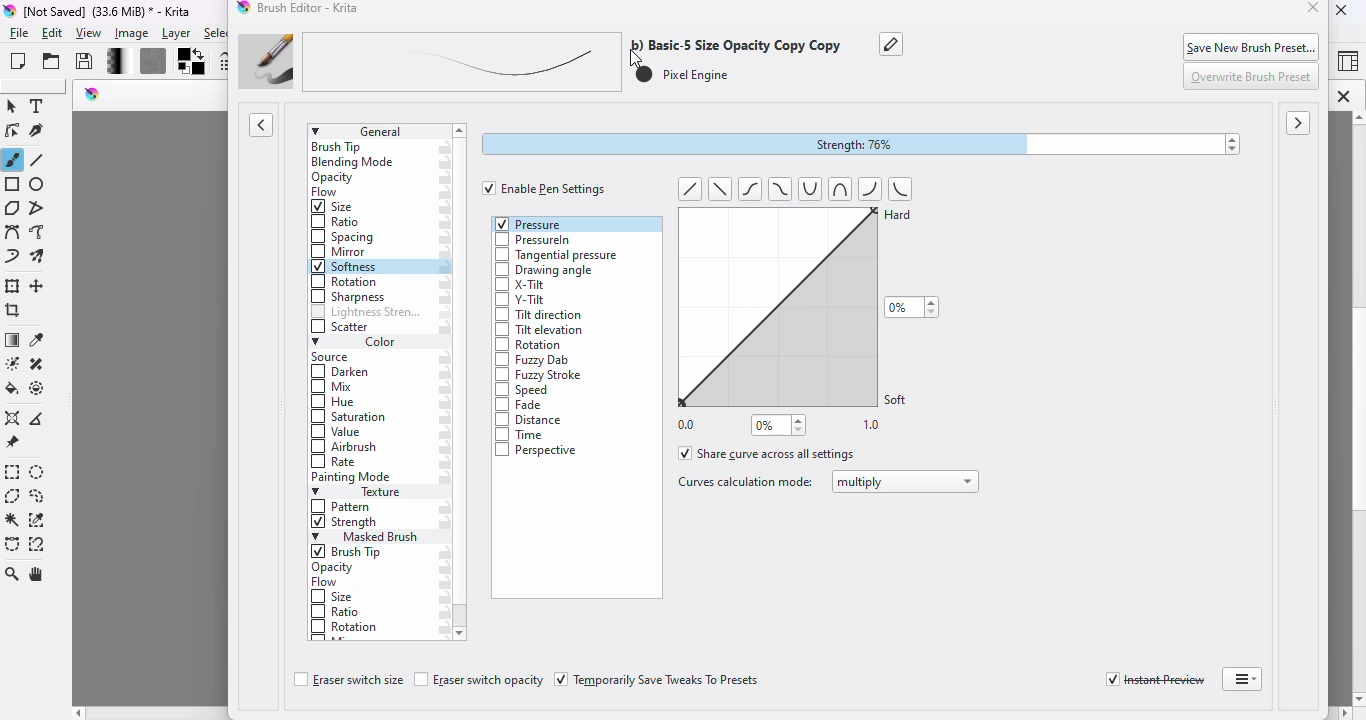  Describe the element at coordinates (111, 62) in the screenshot. I see `fill gradients` at that location.